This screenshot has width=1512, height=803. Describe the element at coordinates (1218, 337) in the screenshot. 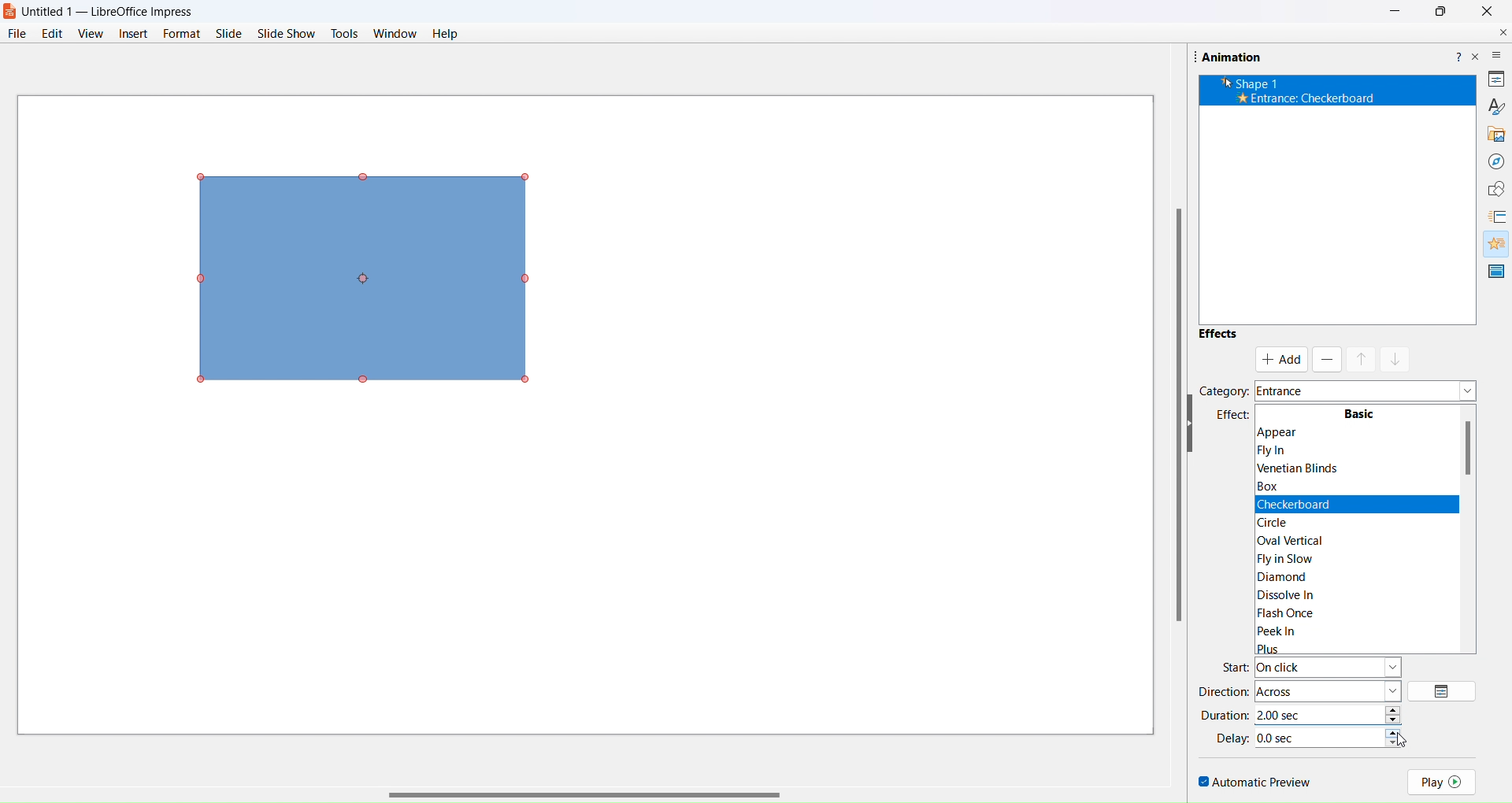

I see `effects` at that location.